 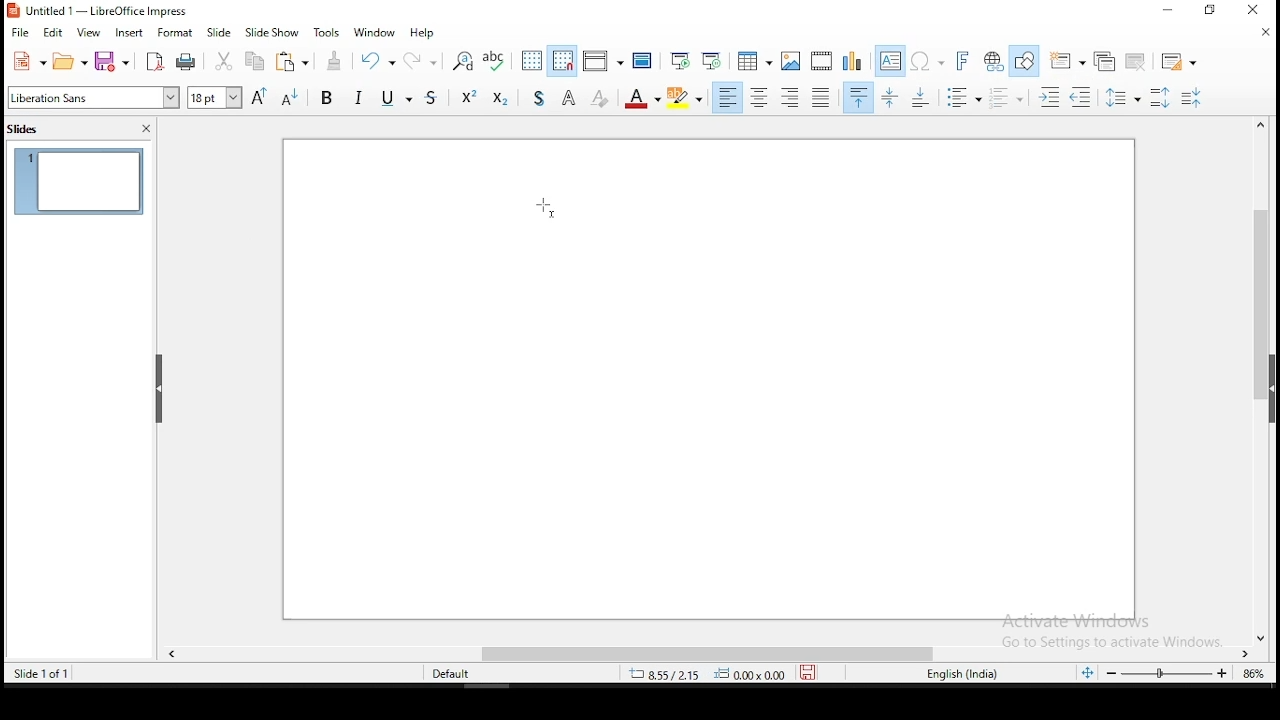 What do you see at coordinates (49, 676) in the screenshot?
I see `slide 1 of 1` at bounding box center [49, 676].